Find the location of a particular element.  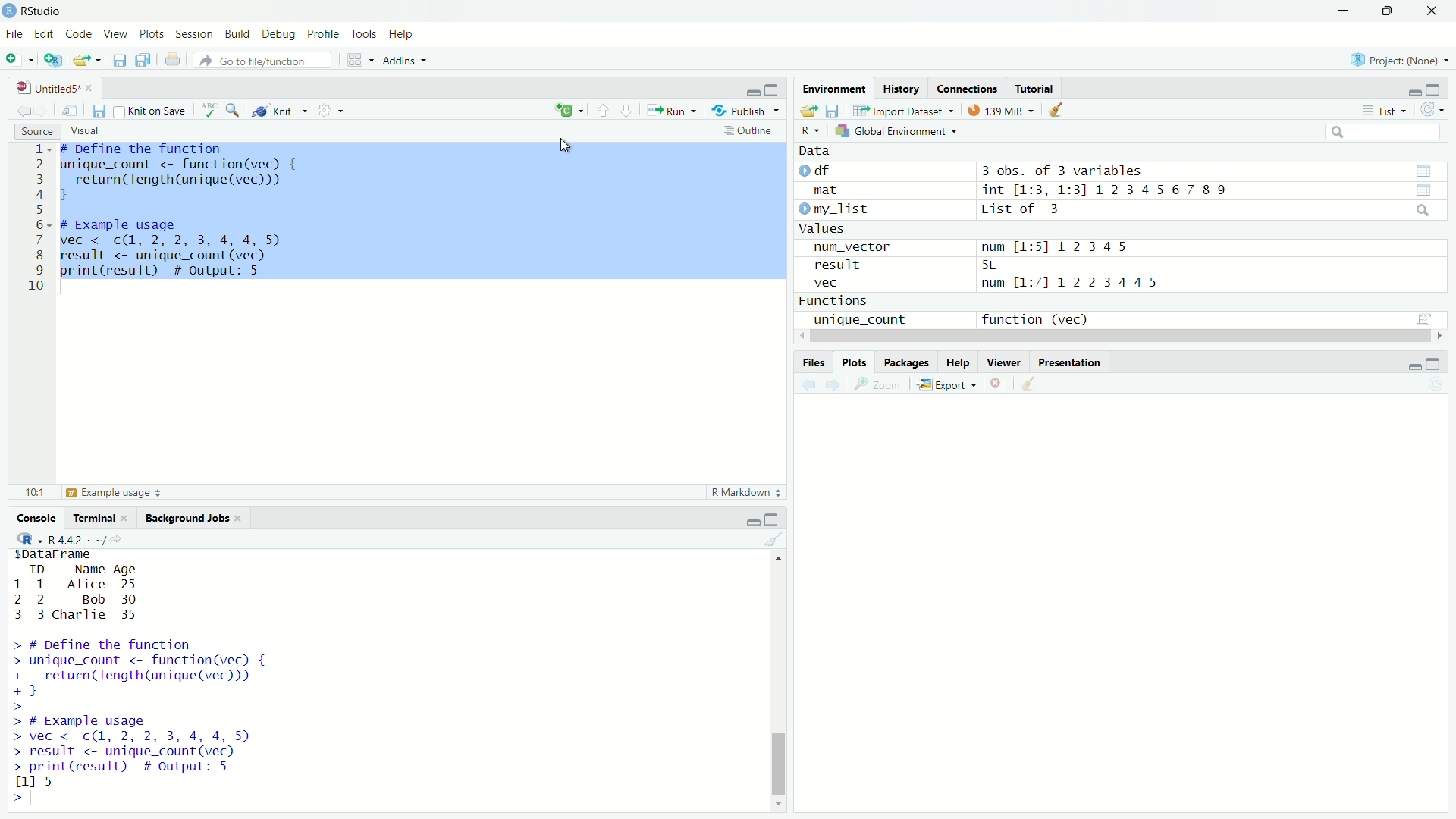

maximize is located at coordinates (1435, 91).